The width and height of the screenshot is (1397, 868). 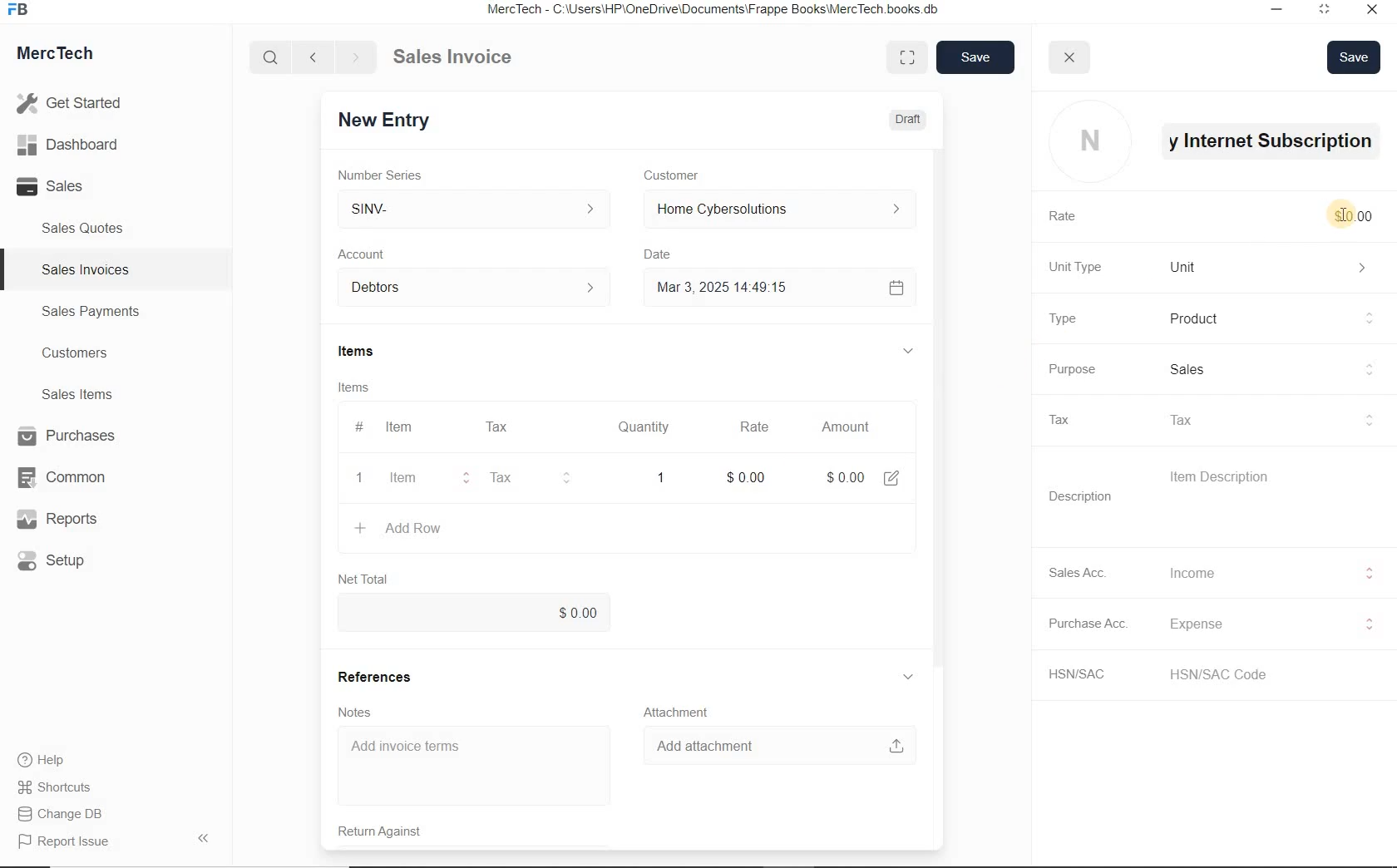 I want to click on Dashboard, so click(x=76, y=145).